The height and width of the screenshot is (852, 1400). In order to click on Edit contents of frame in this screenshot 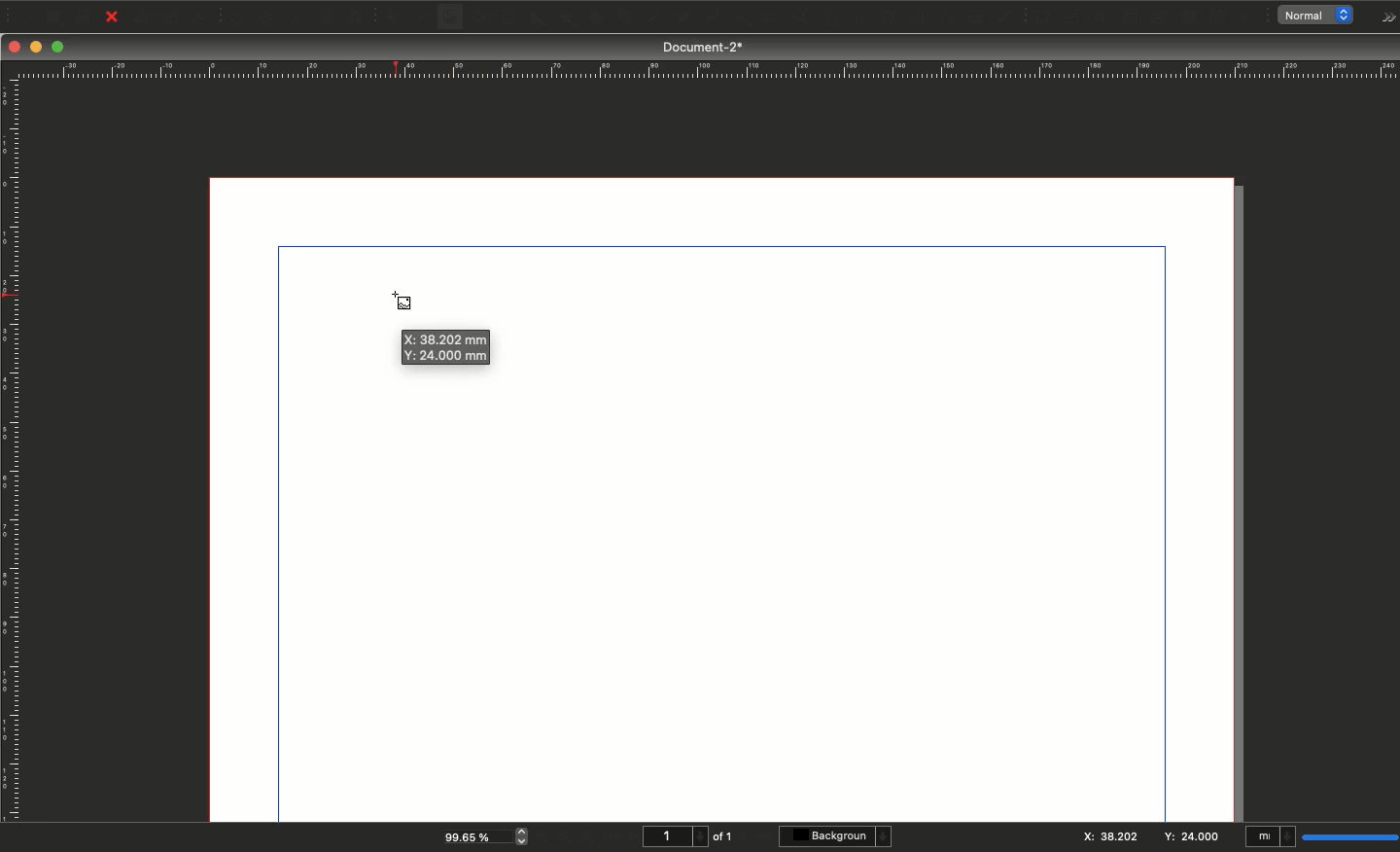, I will do `click(810, 18)`.